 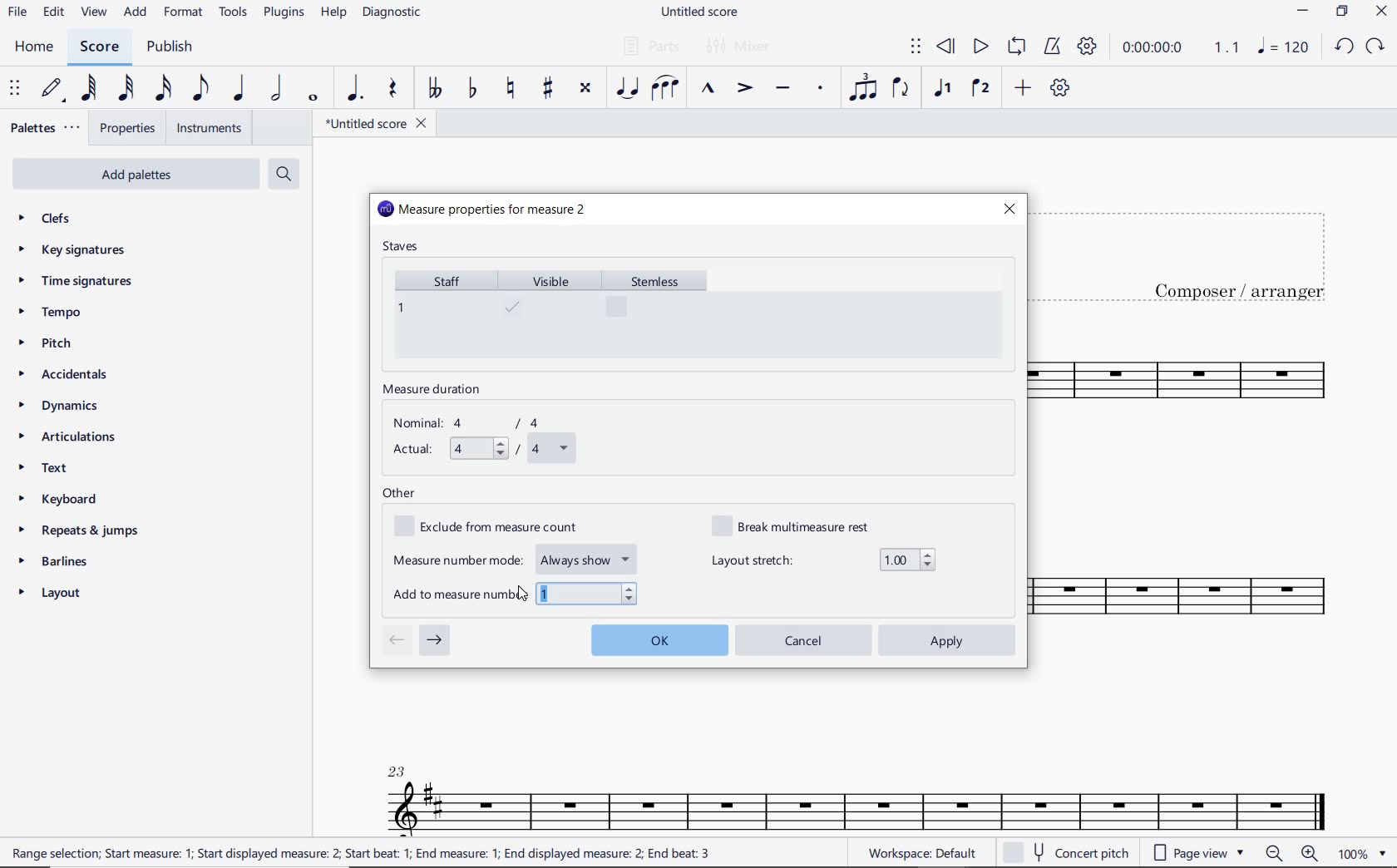 What do you see at coordinates (437, 391) in the screenshot?
I see `measure duration` at bounding box center [437, 391].